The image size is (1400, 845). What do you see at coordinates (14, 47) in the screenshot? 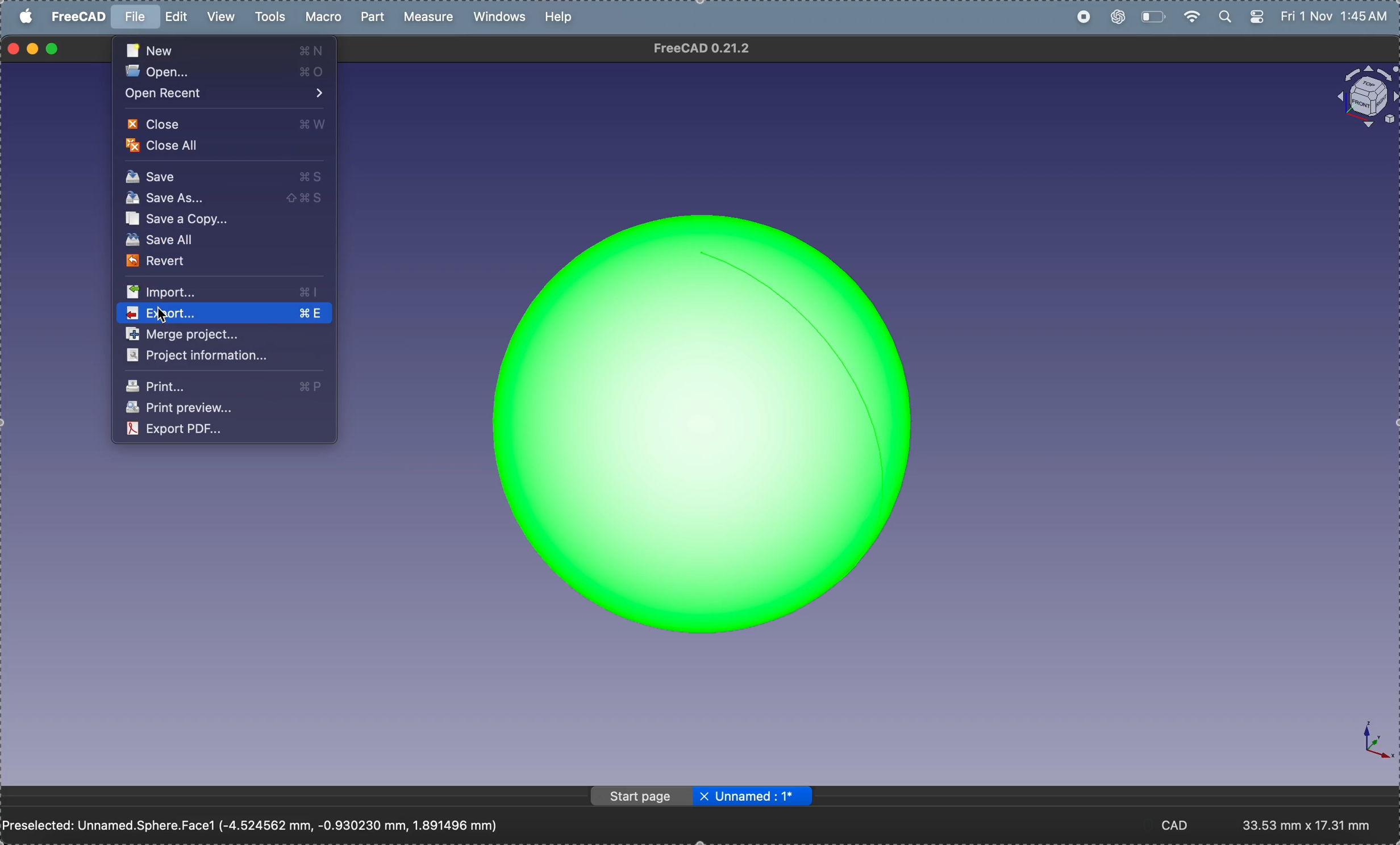
I see `closing window` at bounding box center [14, 47].